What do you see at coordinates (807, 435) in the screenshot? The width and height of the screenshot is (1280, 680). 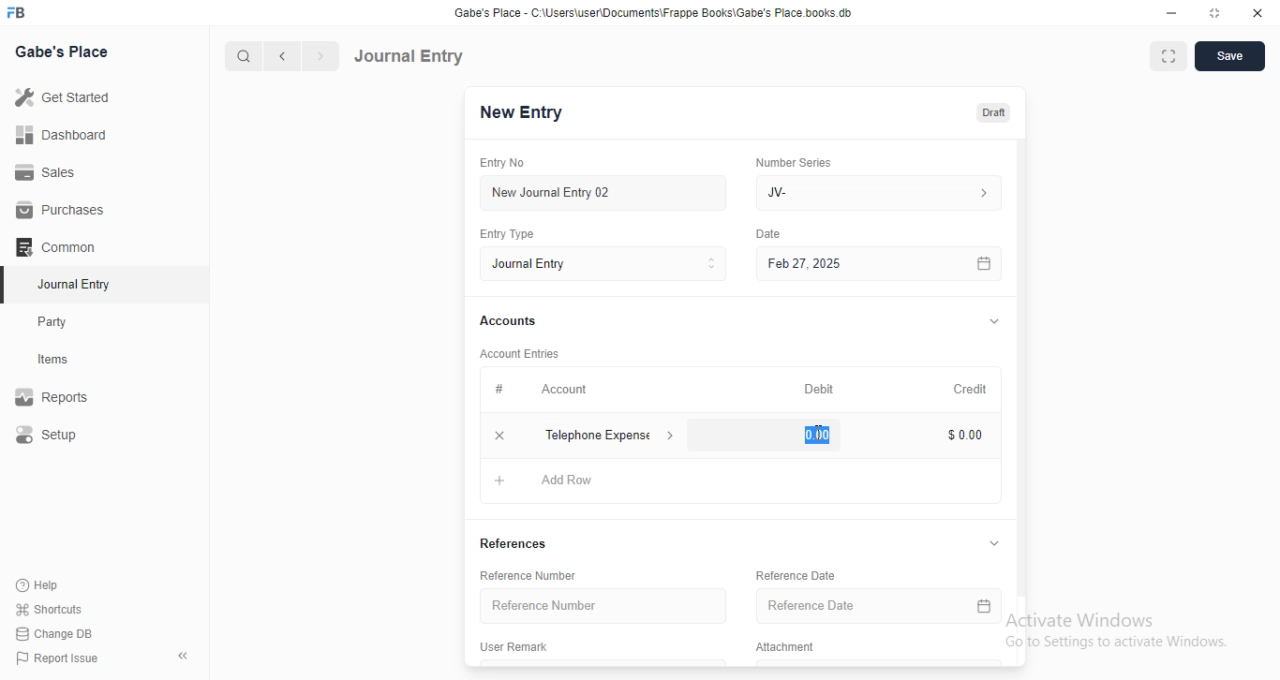 I see `0.00` at bounding box center [807, 435].